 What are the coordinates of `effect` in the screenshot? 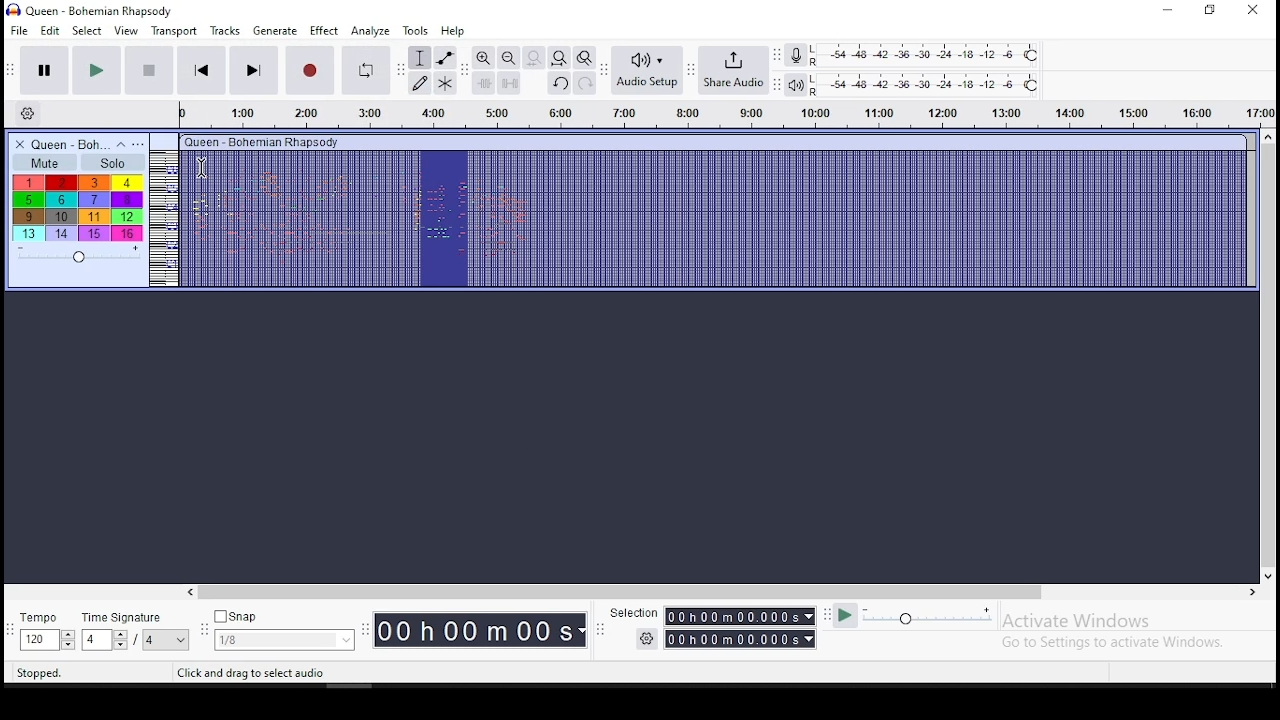 It's located at (324, 31).